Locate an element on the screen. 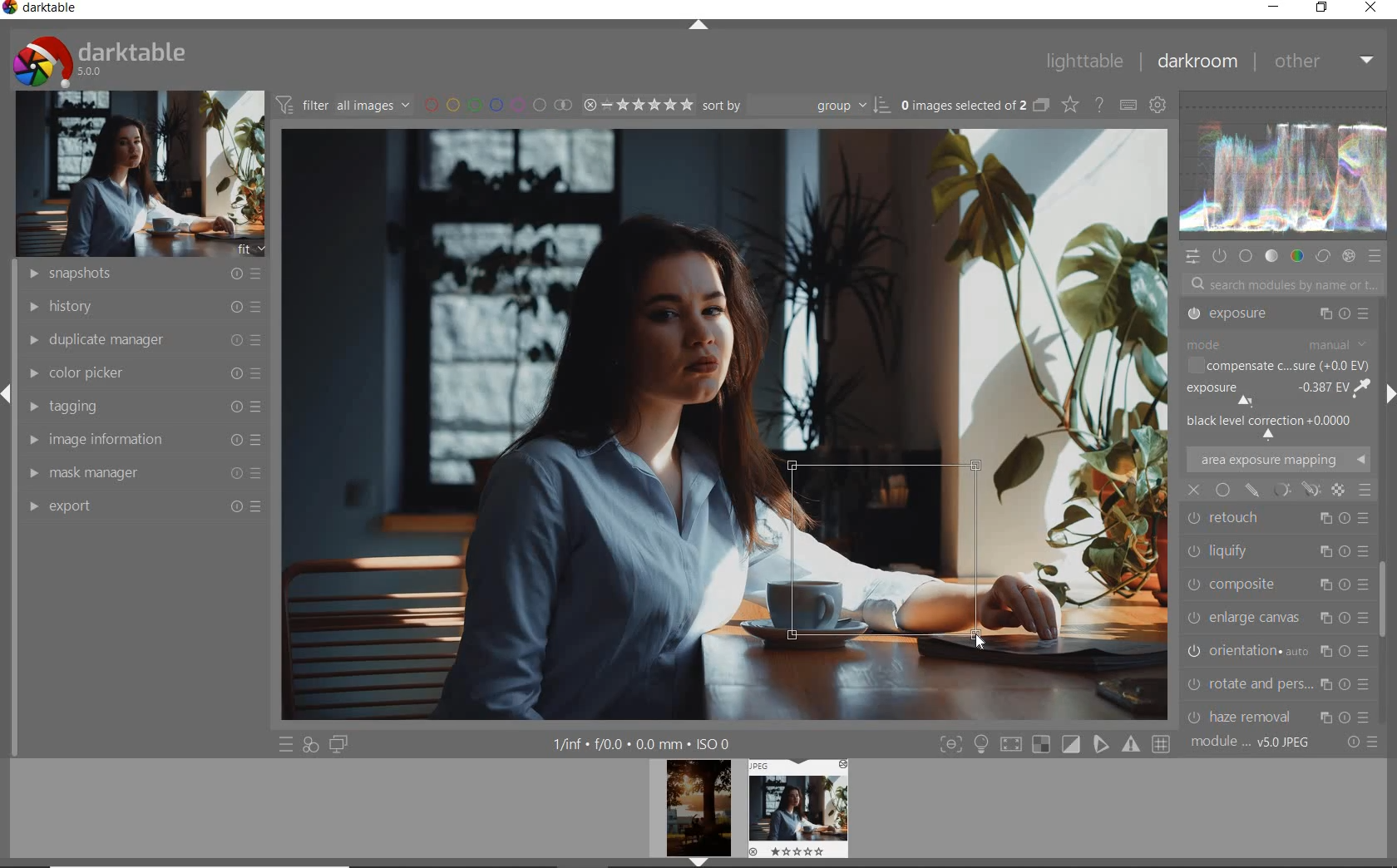 Image resolution: width=1397 pixels, height=868 pixels. FILTER BY IMAGE COLOR LABEL is located at coordinates (496, 106).